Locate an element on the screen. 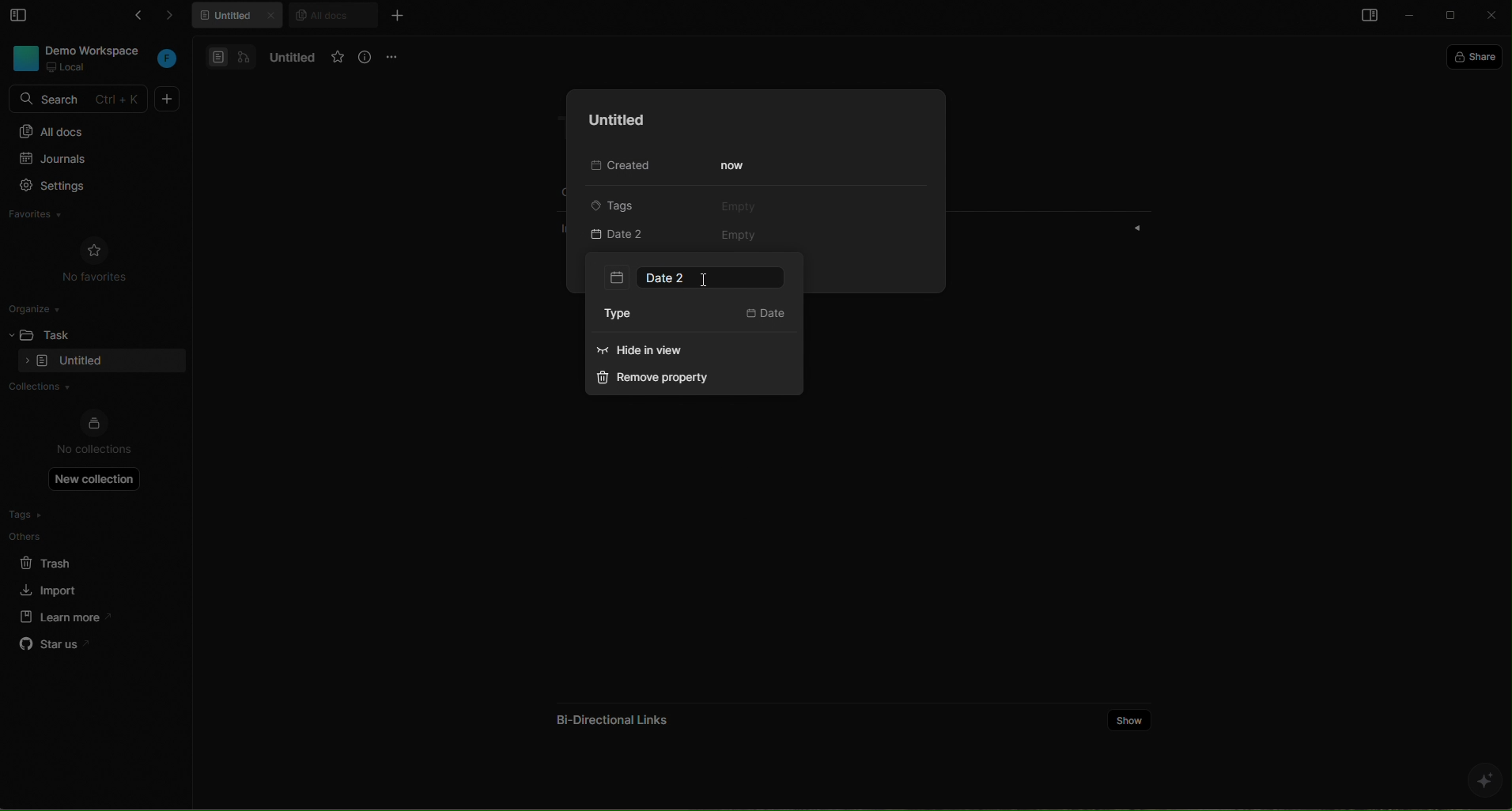 Image resolution: width=1512 pixels, height=811 pixels. options is located at coordinates (395, 56).